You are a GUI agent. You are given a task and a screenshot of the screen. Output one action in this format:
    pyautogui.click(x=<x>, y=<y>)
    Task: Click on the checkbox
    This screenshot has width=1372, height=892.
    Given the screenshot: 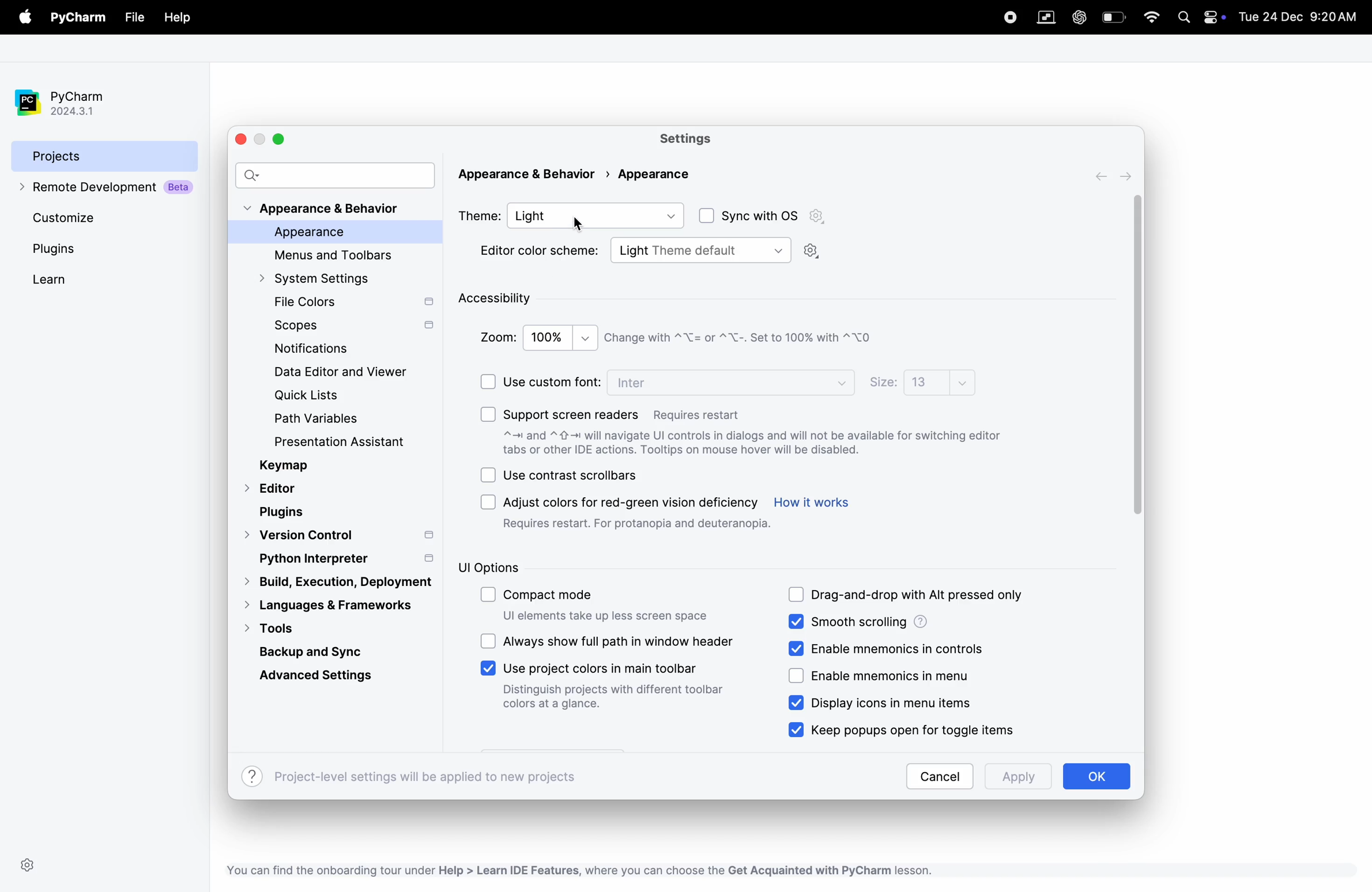 What is the action you would take?
    pyautogui.click(x=797, y=621)
    